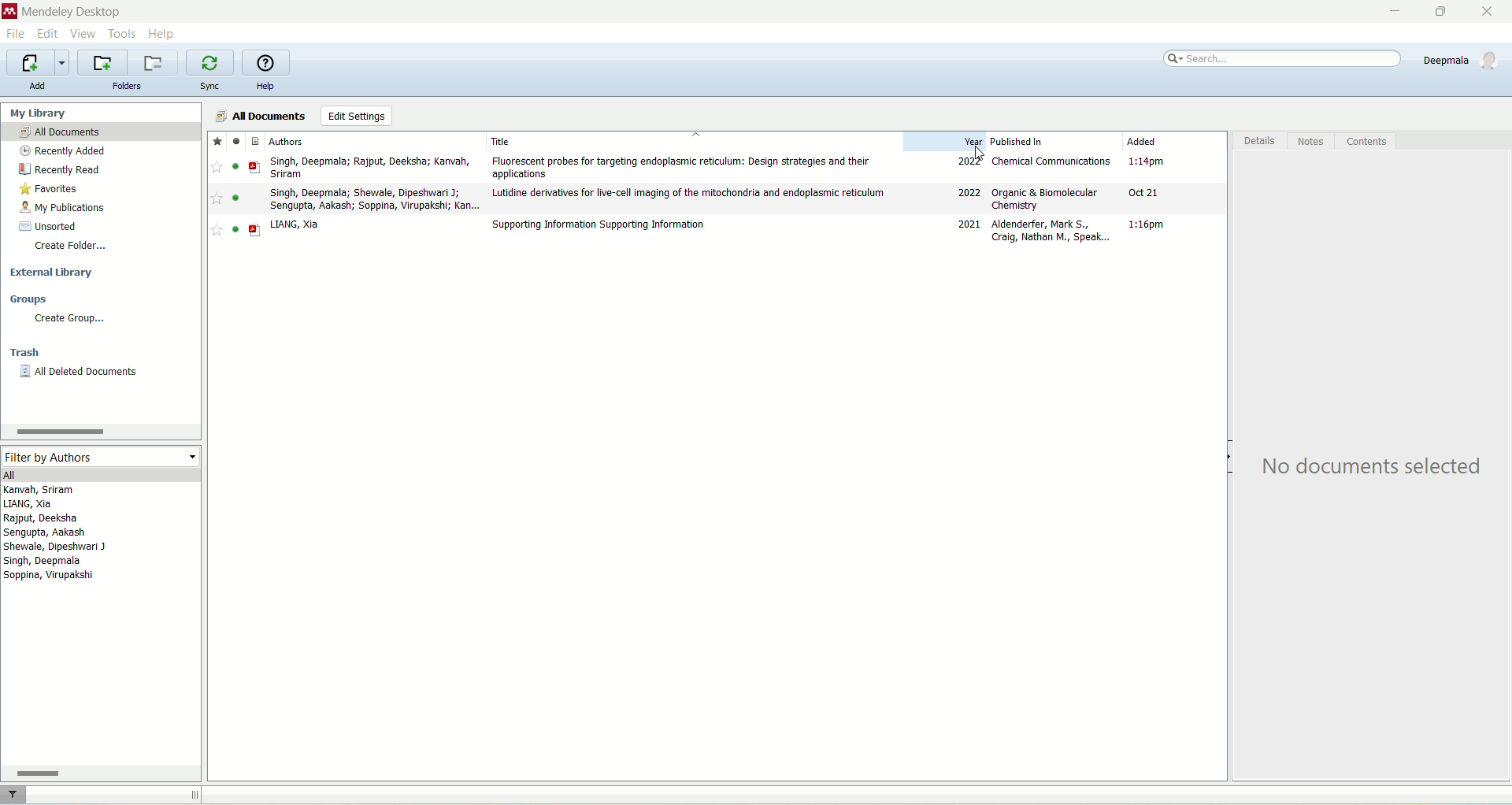 The height and width of the screenshot is (805, 1512). What do you see at coordinates (242, 141) in the screenshot?
I see `Read/unread` at bounding box center [242, 141].